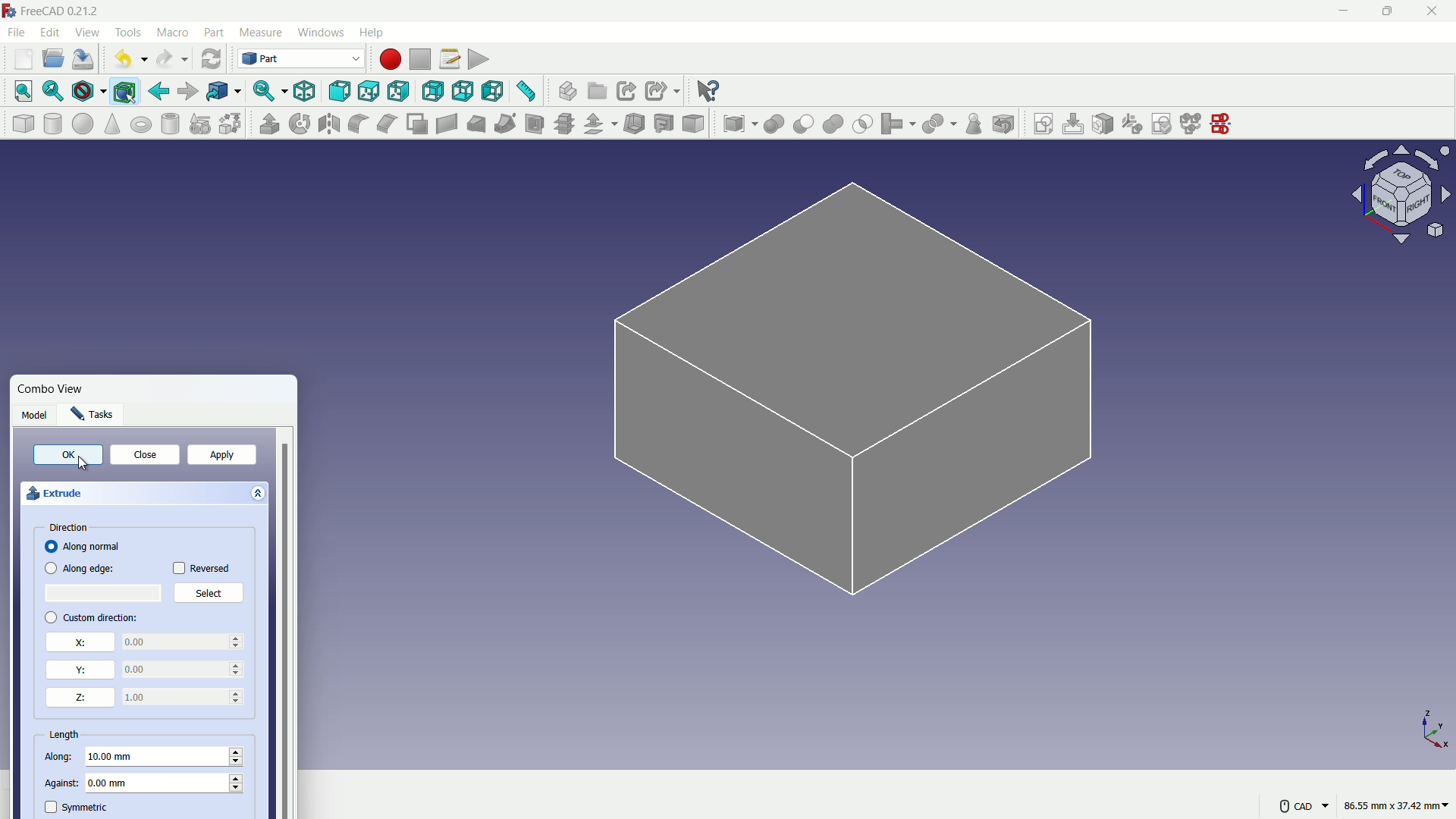  Describe the element at coordinates (50, 33) in the screenshot. I see `edit` at that location.